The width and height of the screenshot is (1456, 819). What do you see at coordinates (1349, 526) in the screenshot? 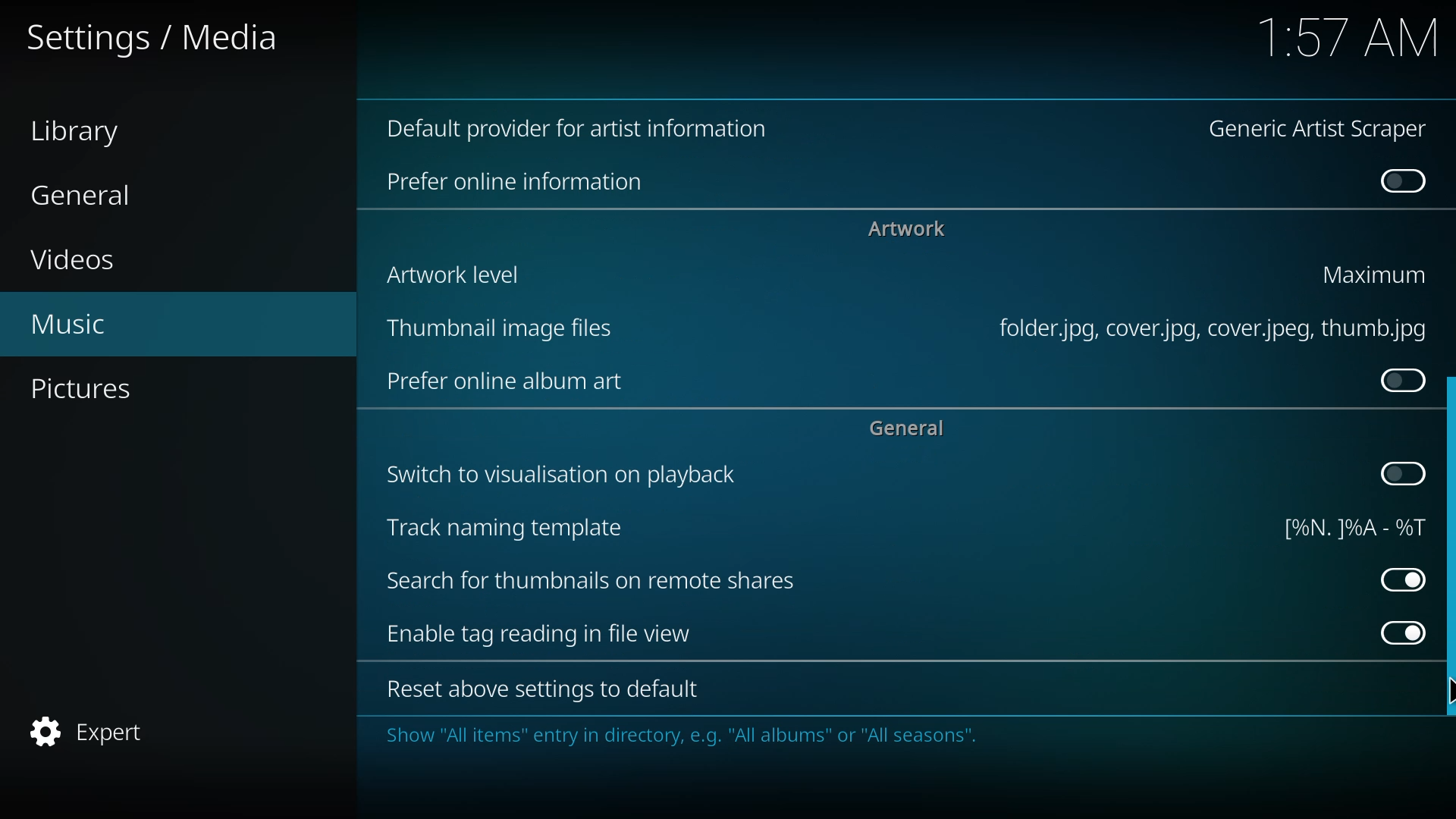
I see `template` at bounding box center [1349, 526].